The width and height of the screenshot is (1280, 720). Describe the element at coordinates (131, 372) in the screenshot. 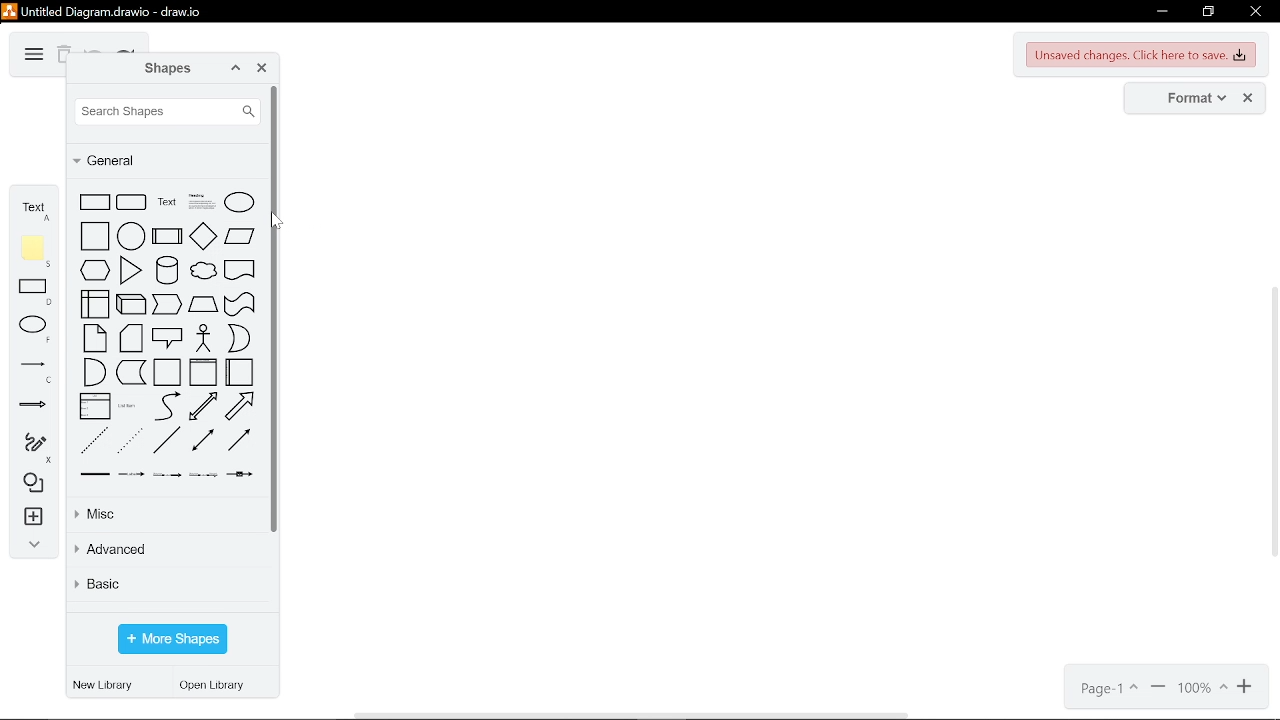

I see `data storage` at that location.